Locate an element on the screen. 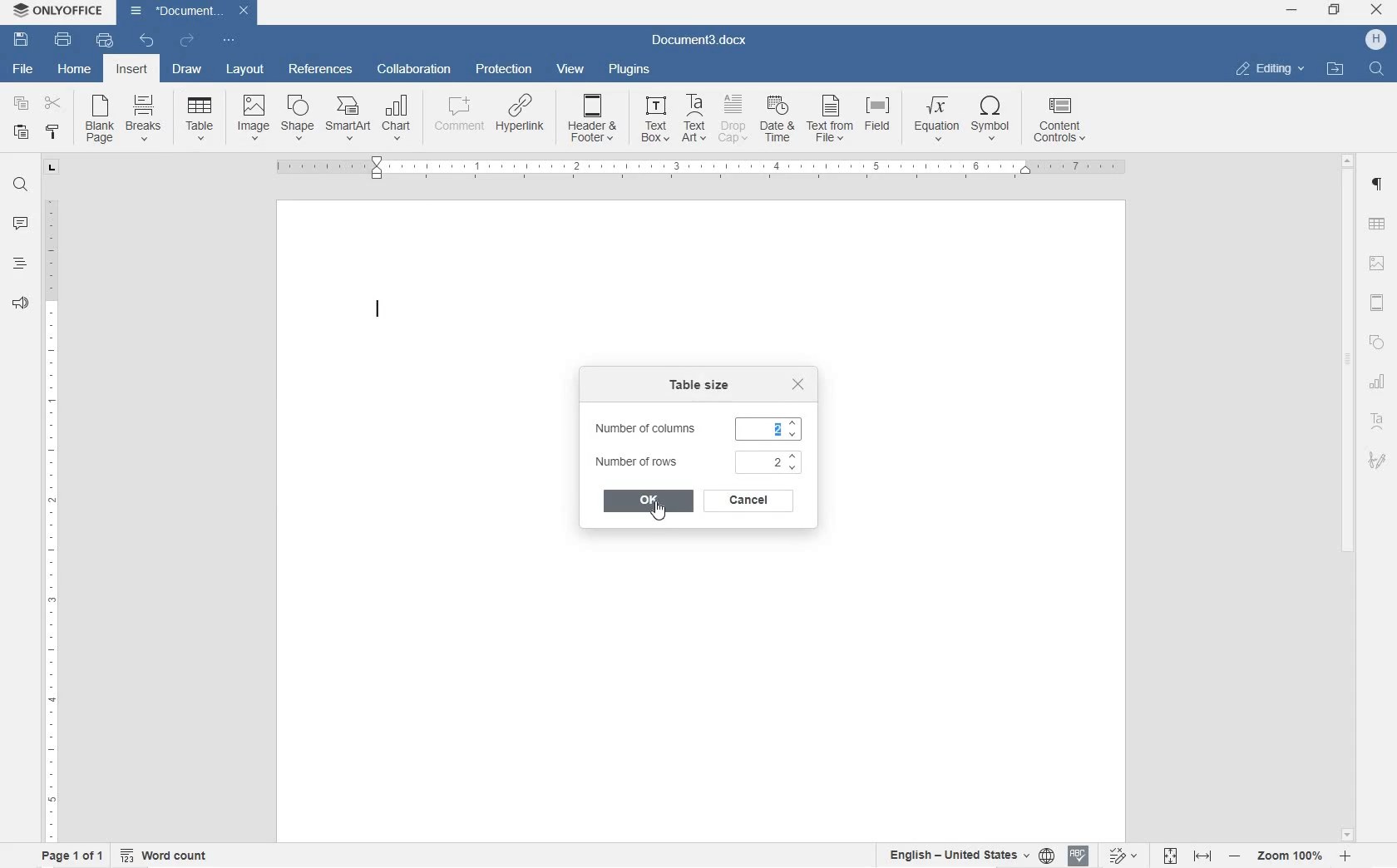  INSERT is located at coordinates (134, 72).